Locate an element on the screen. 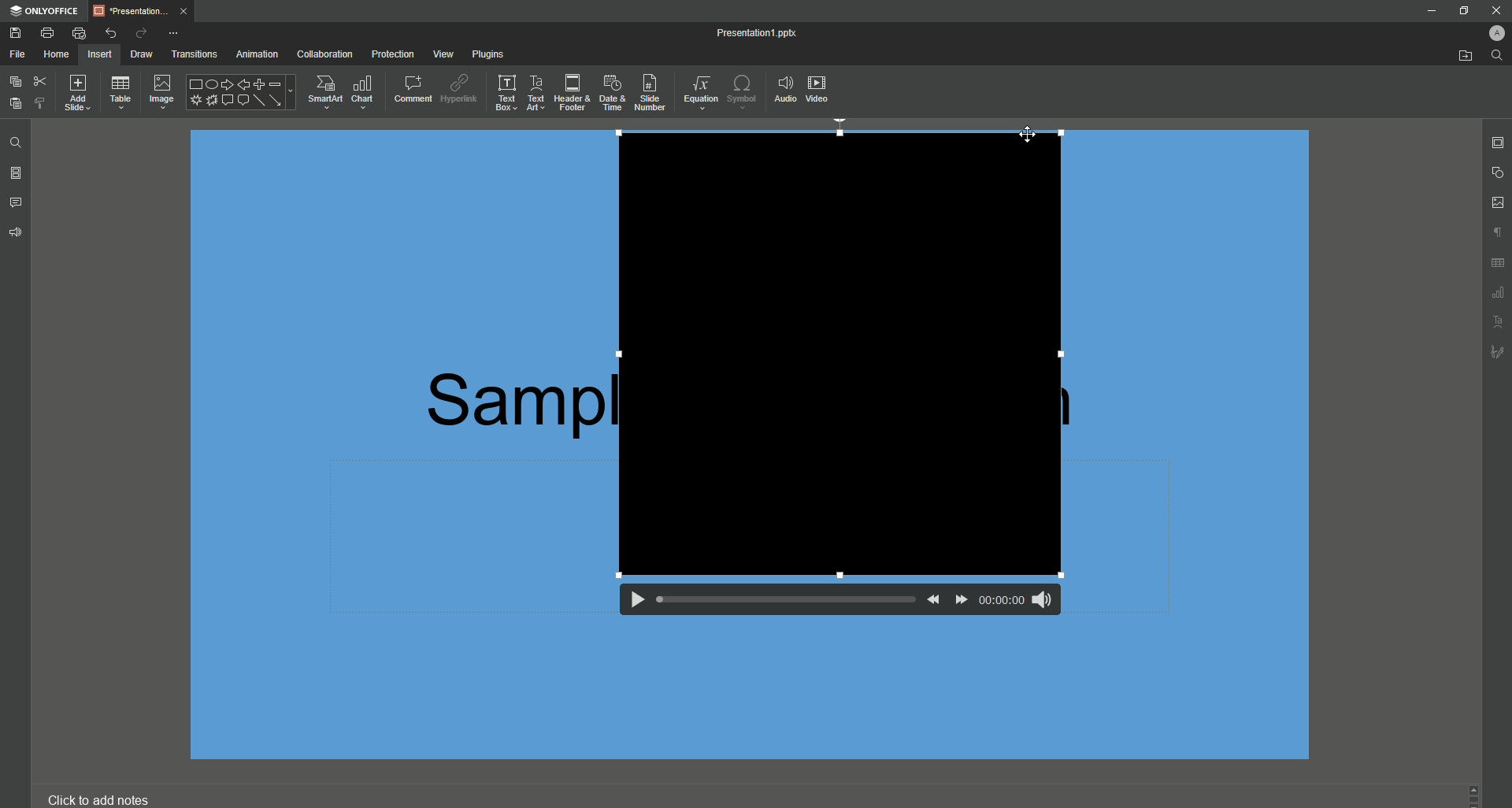 Image resolution: width=1512 pixels, height=808 pixels. Paste is located at coordinates (14, 105).